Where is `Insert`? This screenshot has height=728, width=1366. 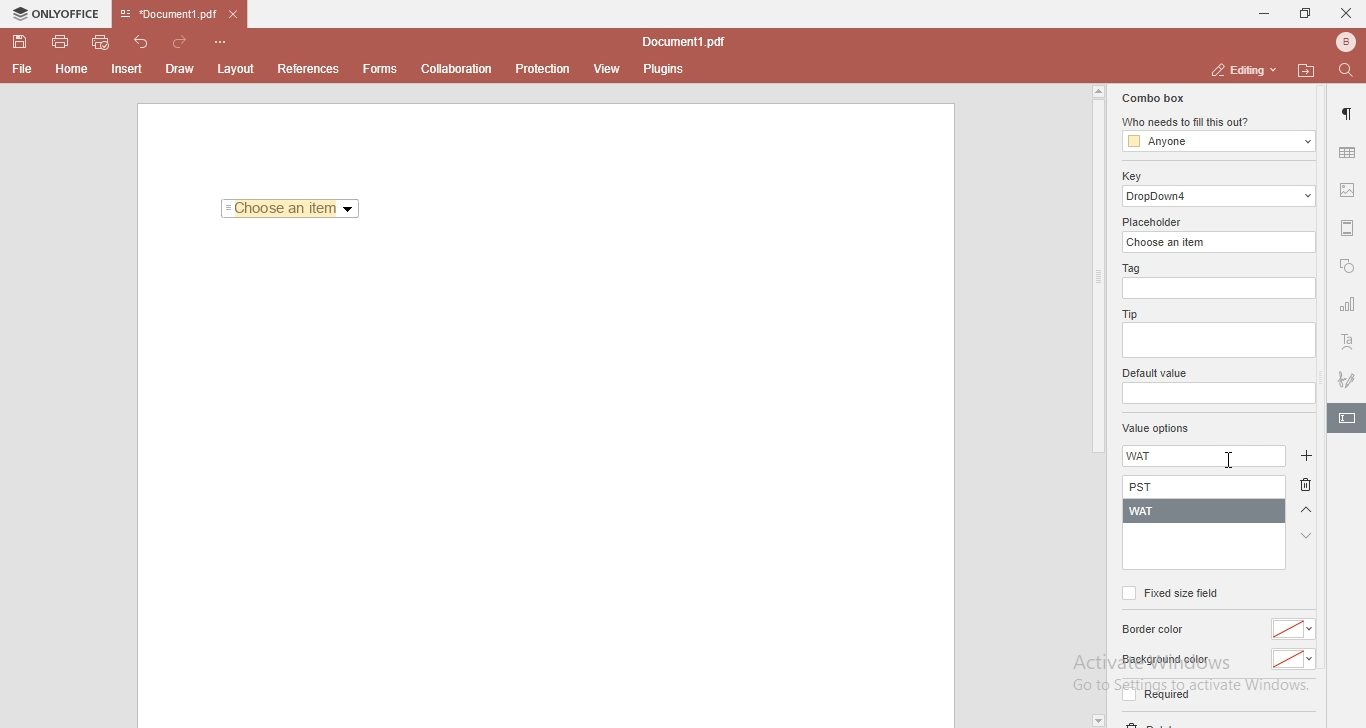 Insert is located at coordinates (127, 70).